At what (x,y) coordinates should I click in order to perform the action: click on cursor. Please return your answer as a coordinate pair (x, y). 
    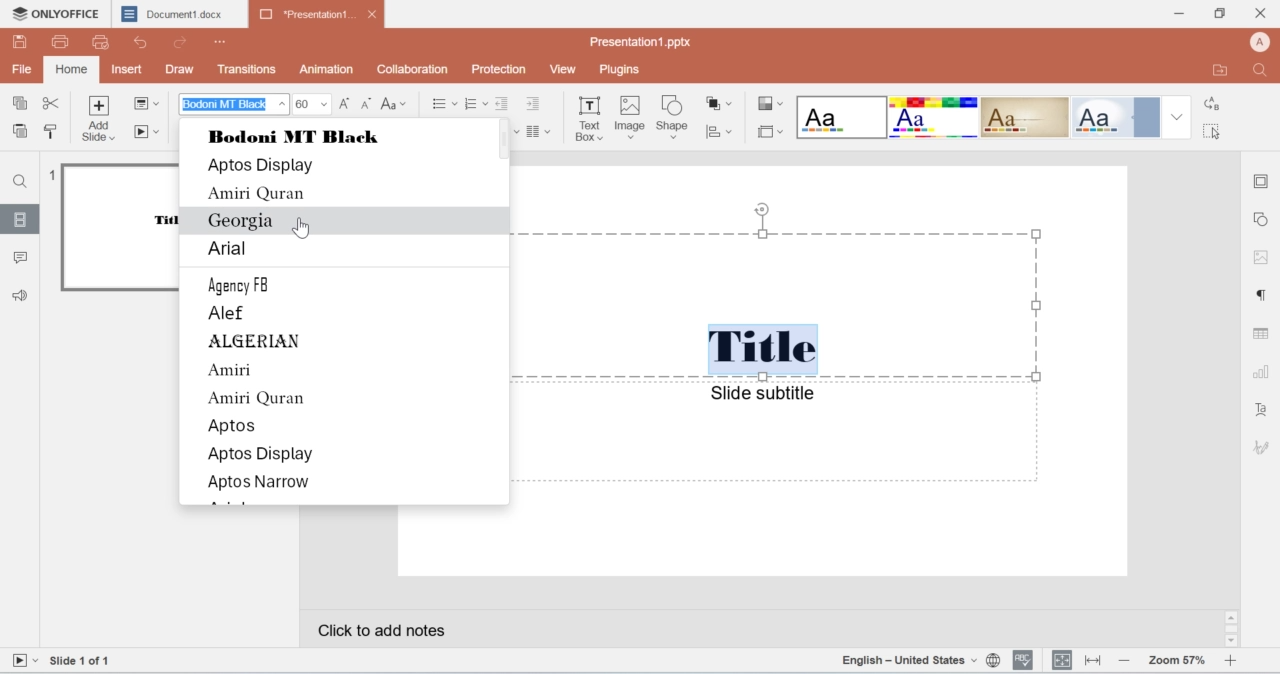
    Looking at the image, I should click on (1214, 134).